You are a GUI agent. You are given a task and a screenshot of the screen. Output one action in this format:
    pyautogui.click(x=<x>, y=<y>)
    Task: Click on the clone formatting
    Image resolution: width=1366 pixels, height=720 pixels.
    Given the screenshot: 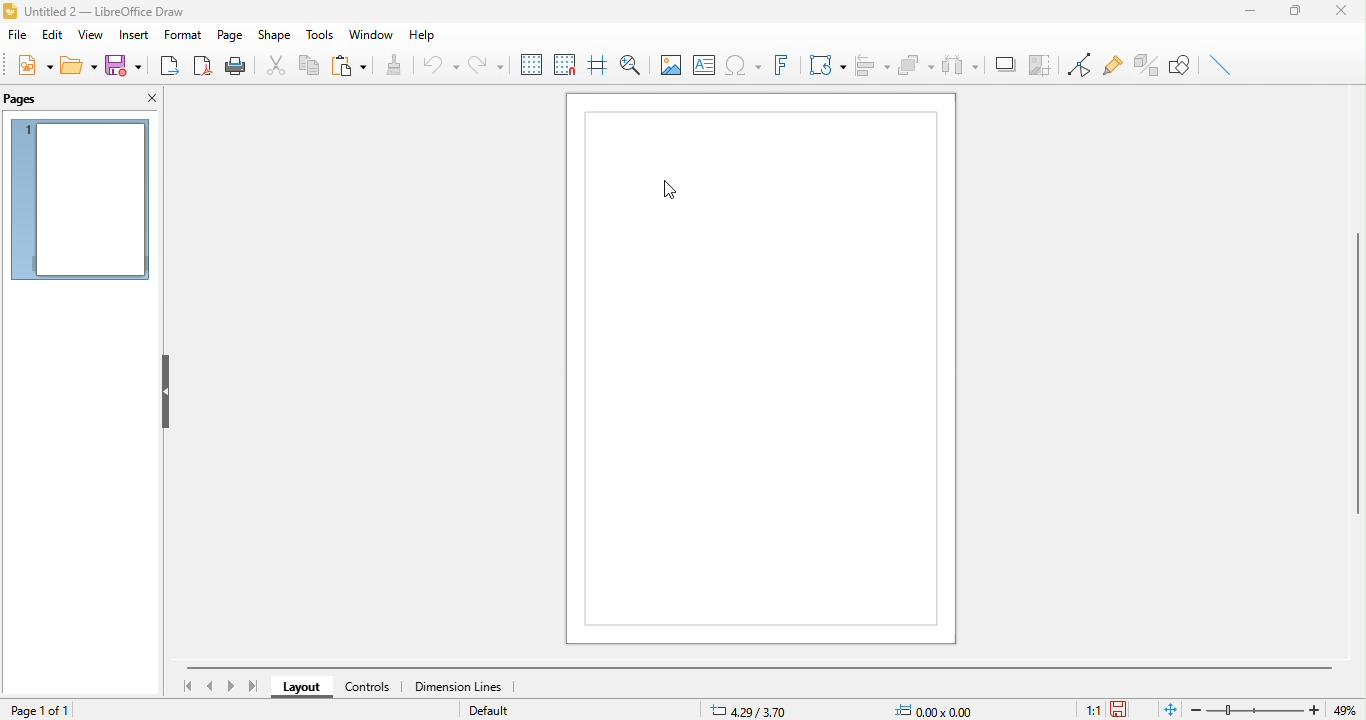 What is the action you would take?
    pyautogui.click(x=394, y=66)
    